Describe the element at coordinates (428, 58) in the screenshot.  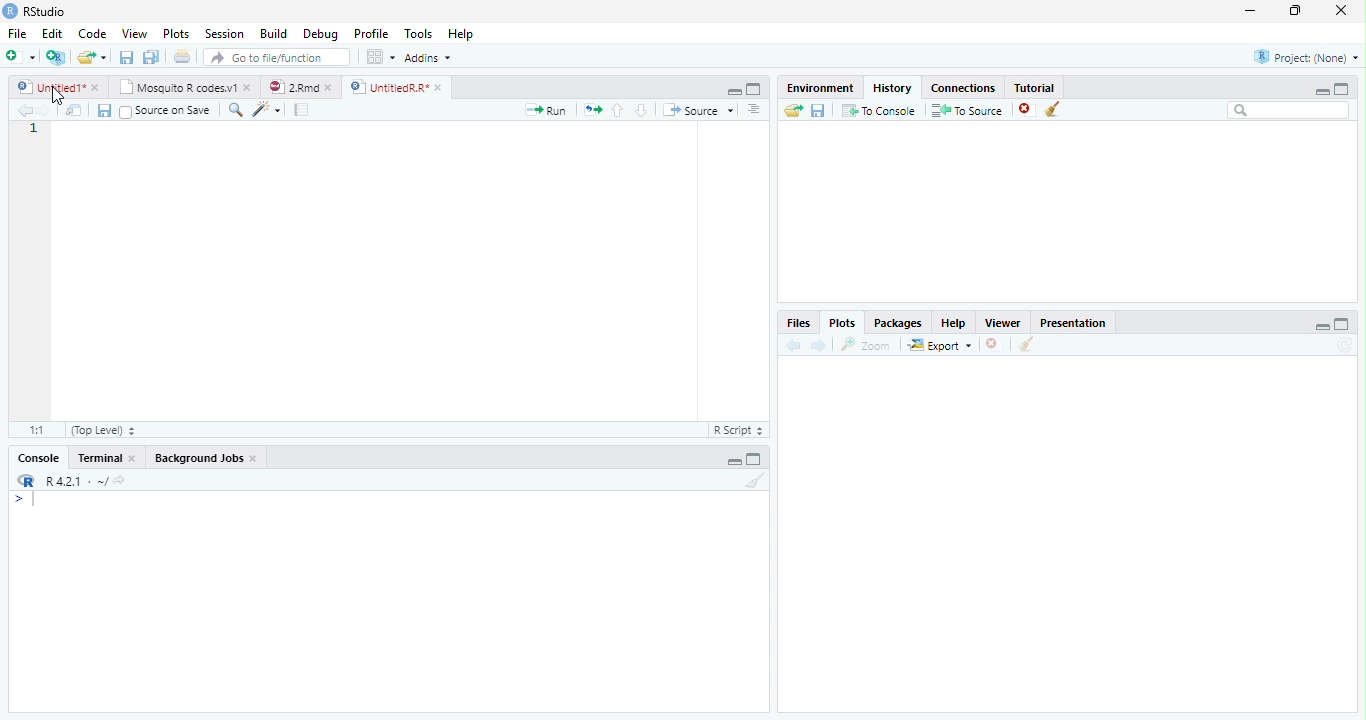
I see `Addins` at that location.